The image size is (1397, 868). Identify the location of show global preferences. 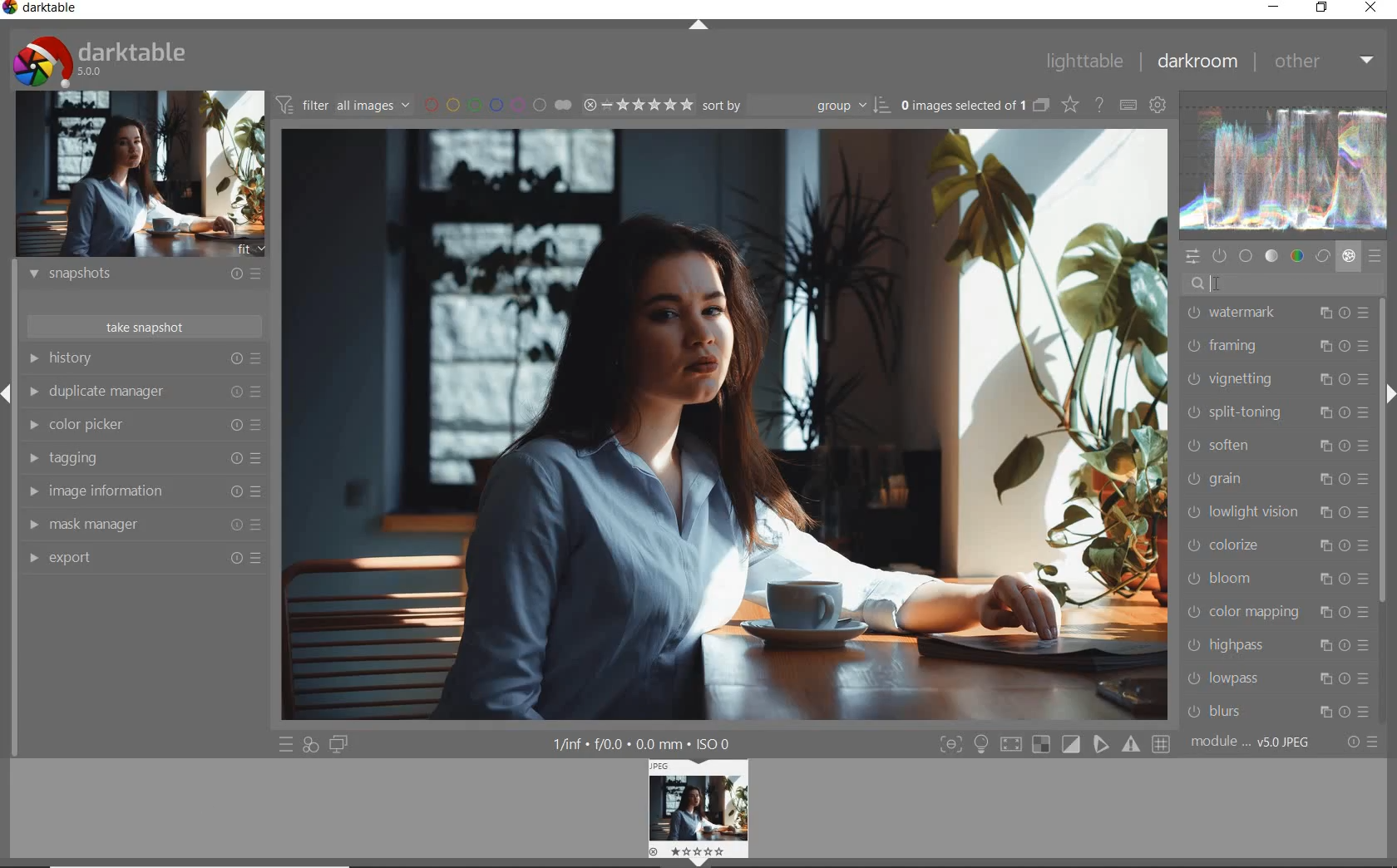
(1158, 104).